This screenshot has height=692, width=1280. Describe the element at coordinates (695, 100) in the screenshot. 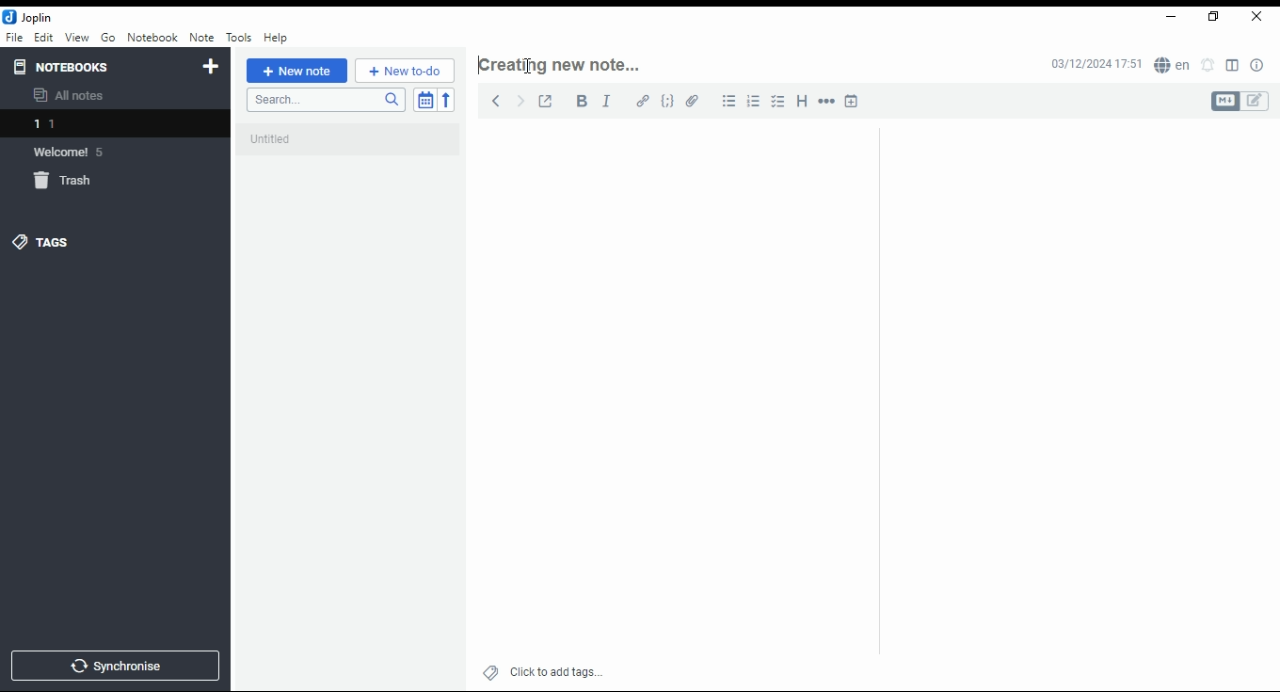

I see `attach file` at that location.